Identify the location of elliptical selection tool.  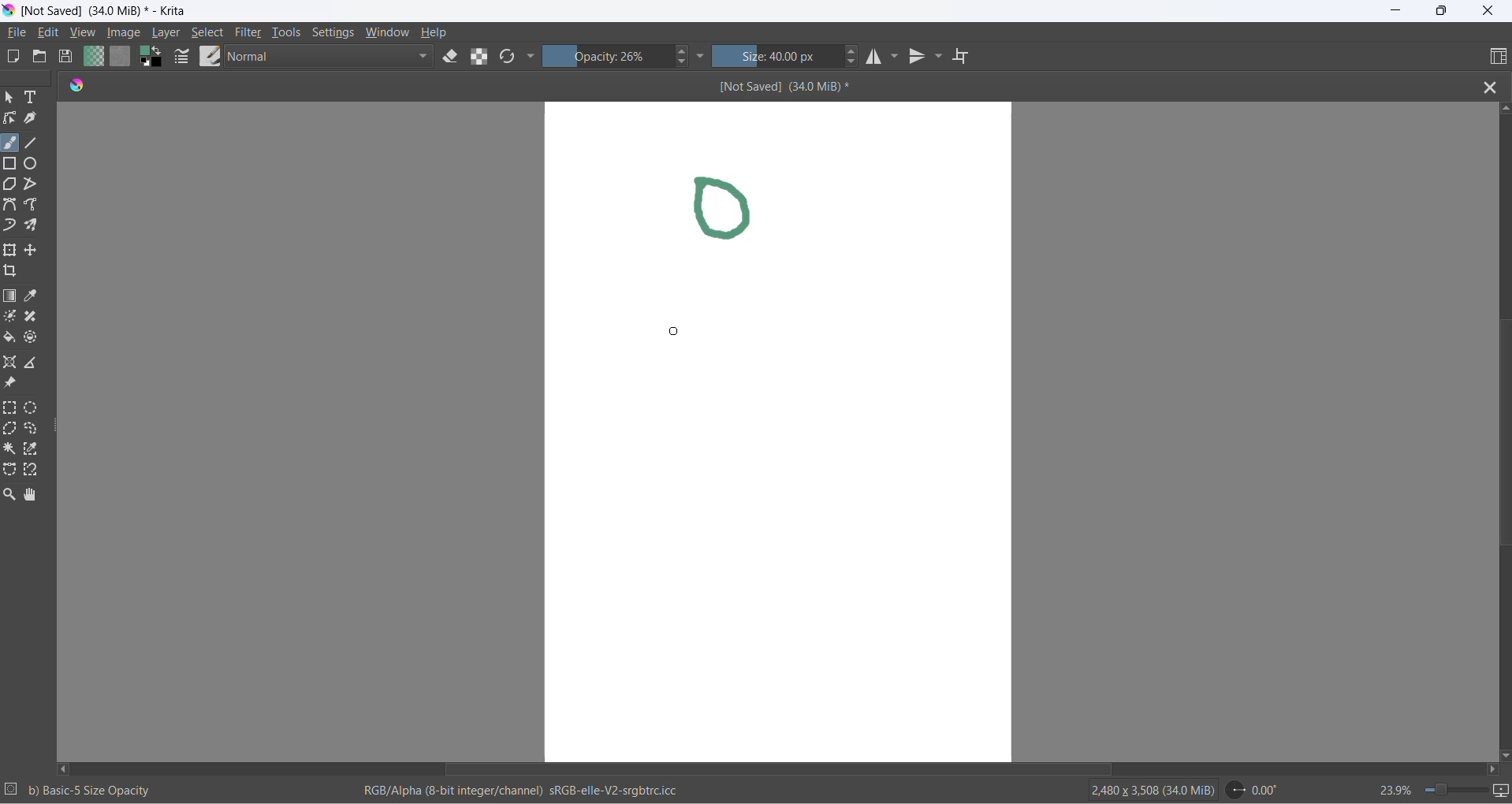
(34, 408).